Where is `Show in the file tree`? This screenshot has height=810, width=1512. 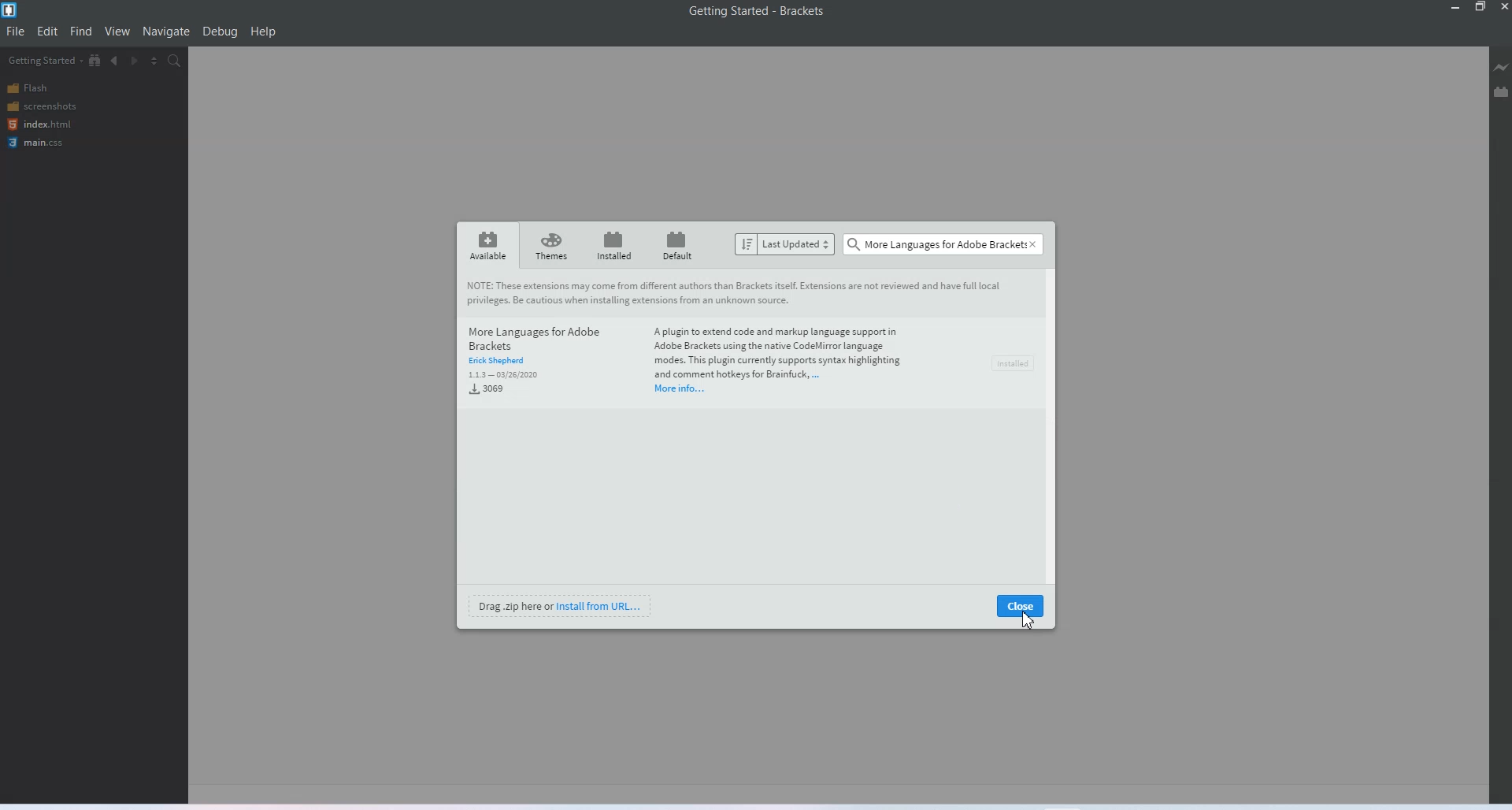
Show in the file tree is located at coordinates (96, 60).